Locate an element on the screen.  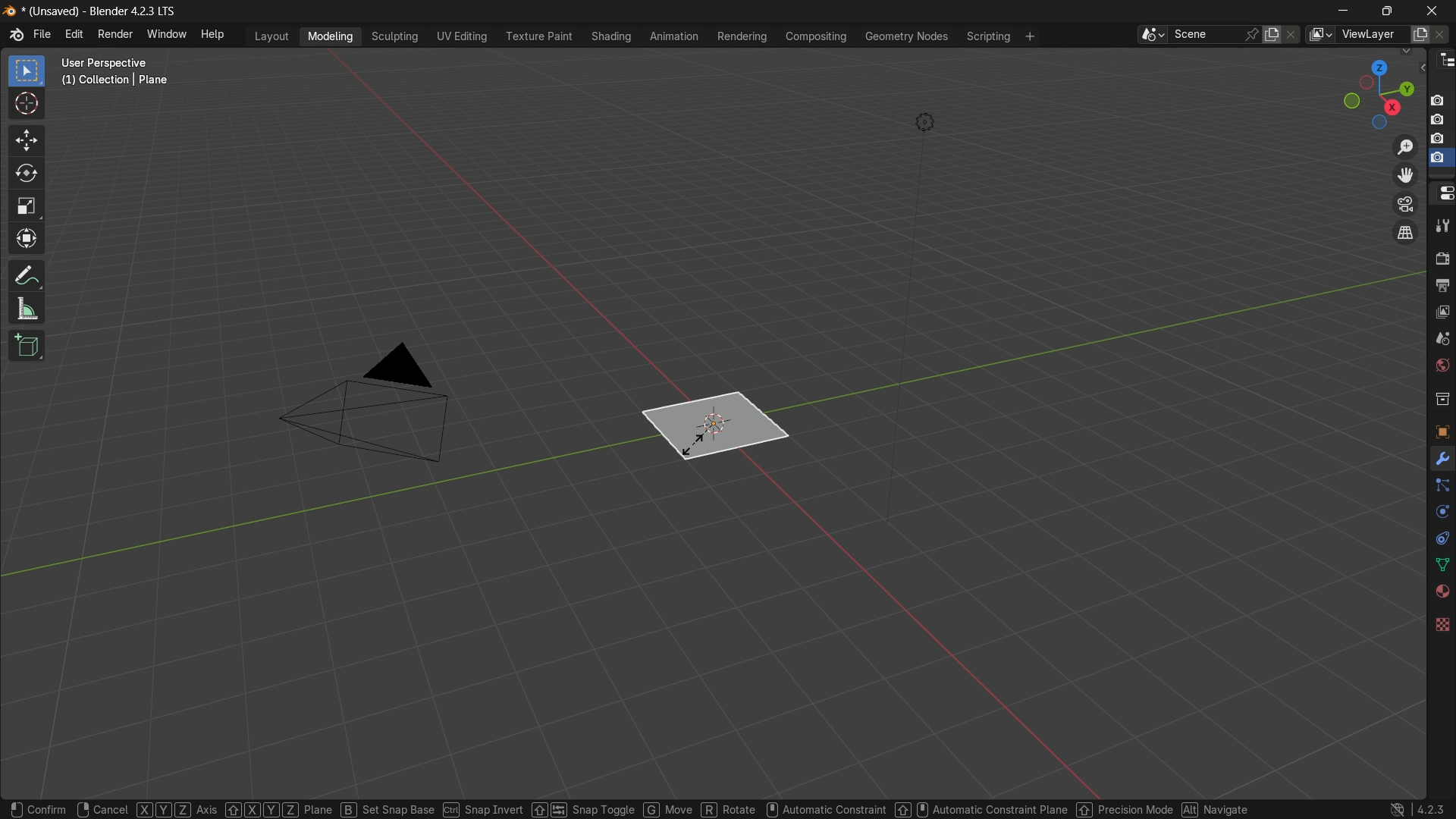
file menu is located at coordinates (42, 35).